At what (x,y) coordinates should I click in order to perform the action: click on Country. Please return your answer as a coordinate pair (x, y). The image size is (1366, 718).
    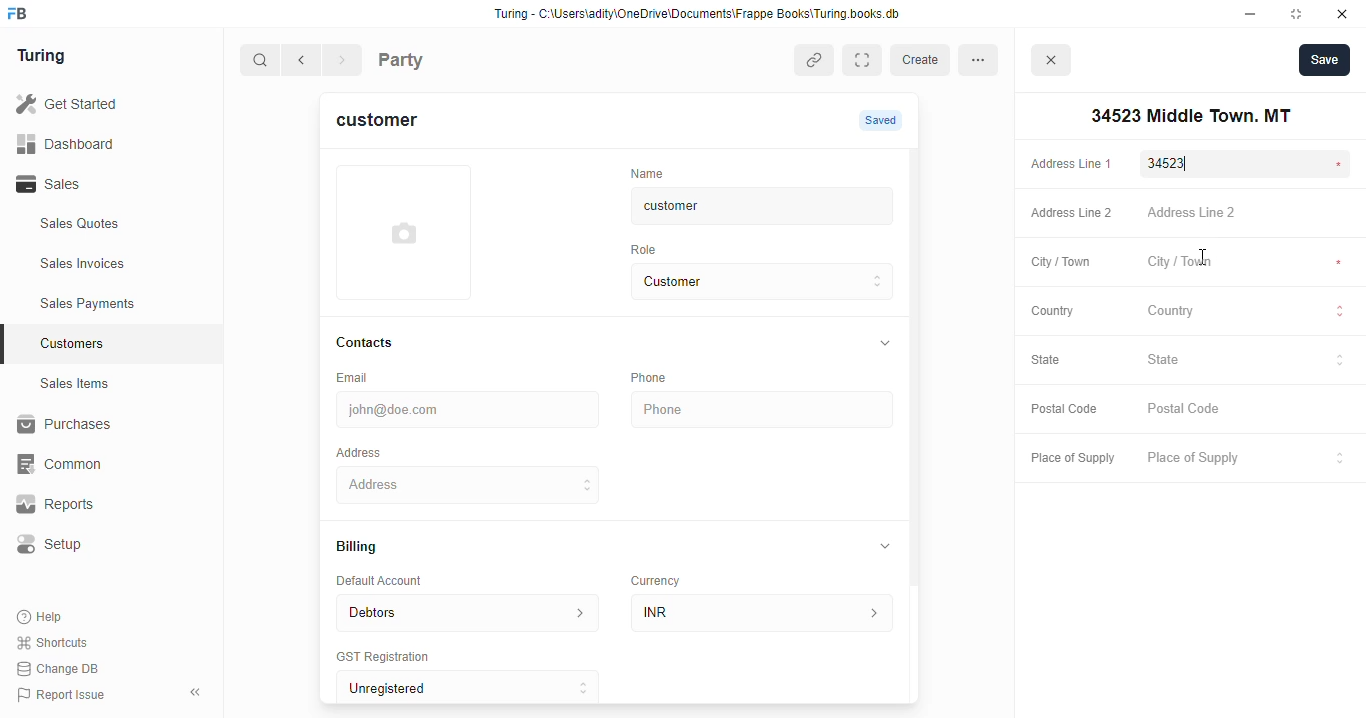
    Looking at the image, I should click on (1051, 310).